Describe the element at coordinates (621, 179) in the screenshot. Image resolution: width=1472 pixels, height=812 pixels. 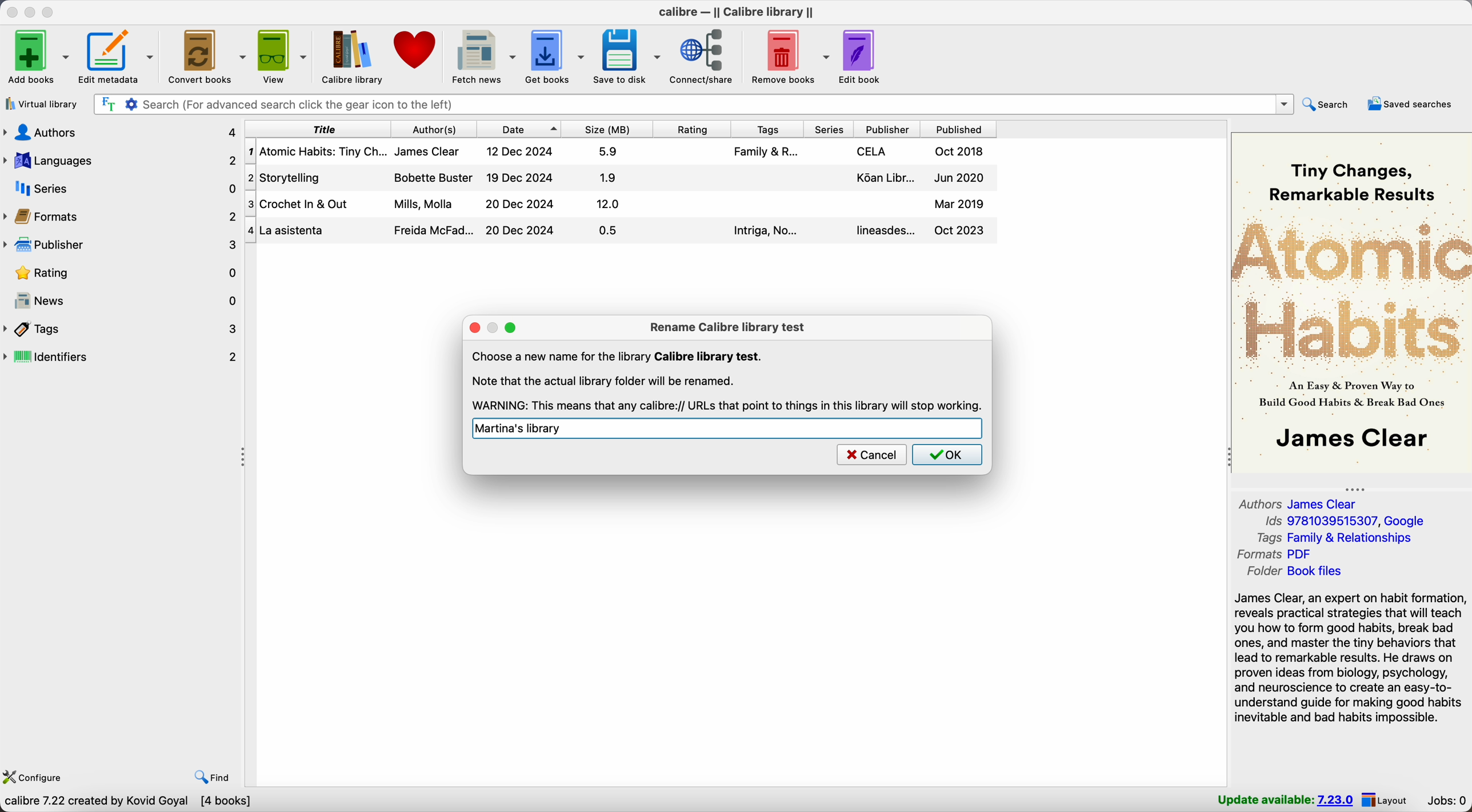
I see `Storytelling book` at that location.